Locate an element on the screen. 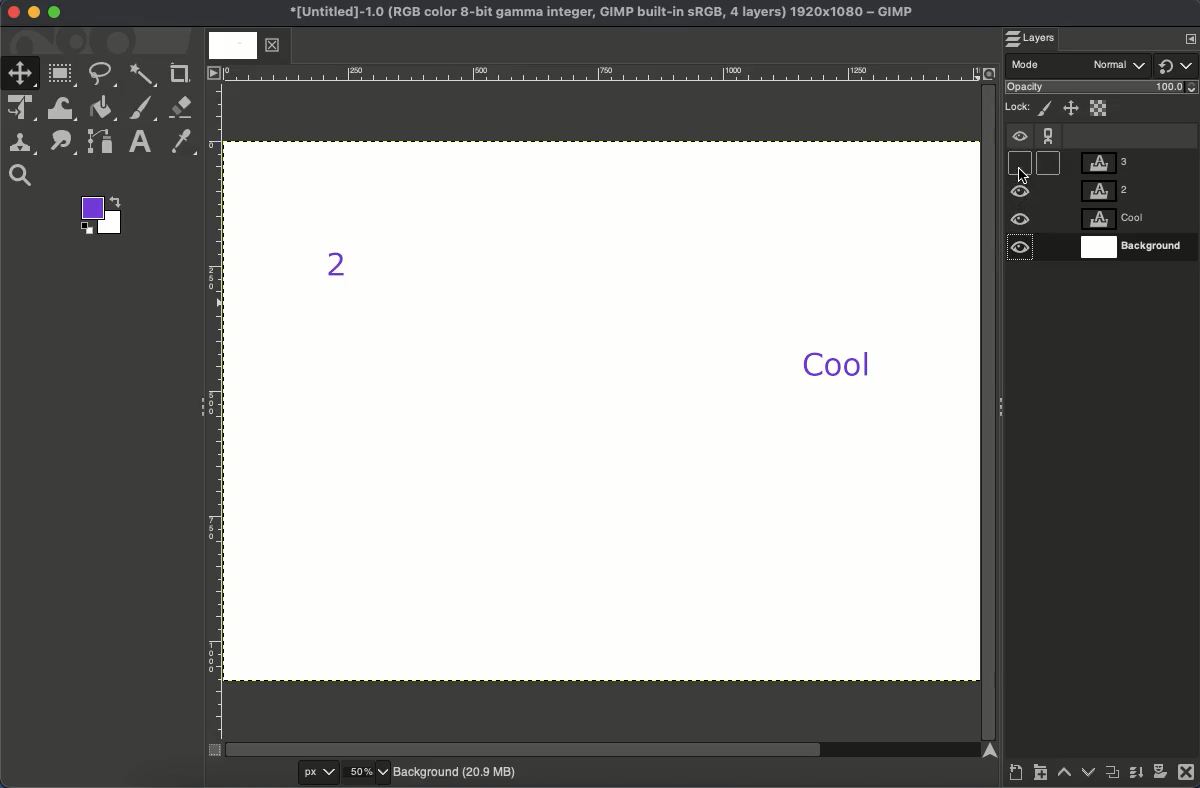 This screenshot has width=1200, height=788. Fuzzy select is located at coordinates (142, 75).